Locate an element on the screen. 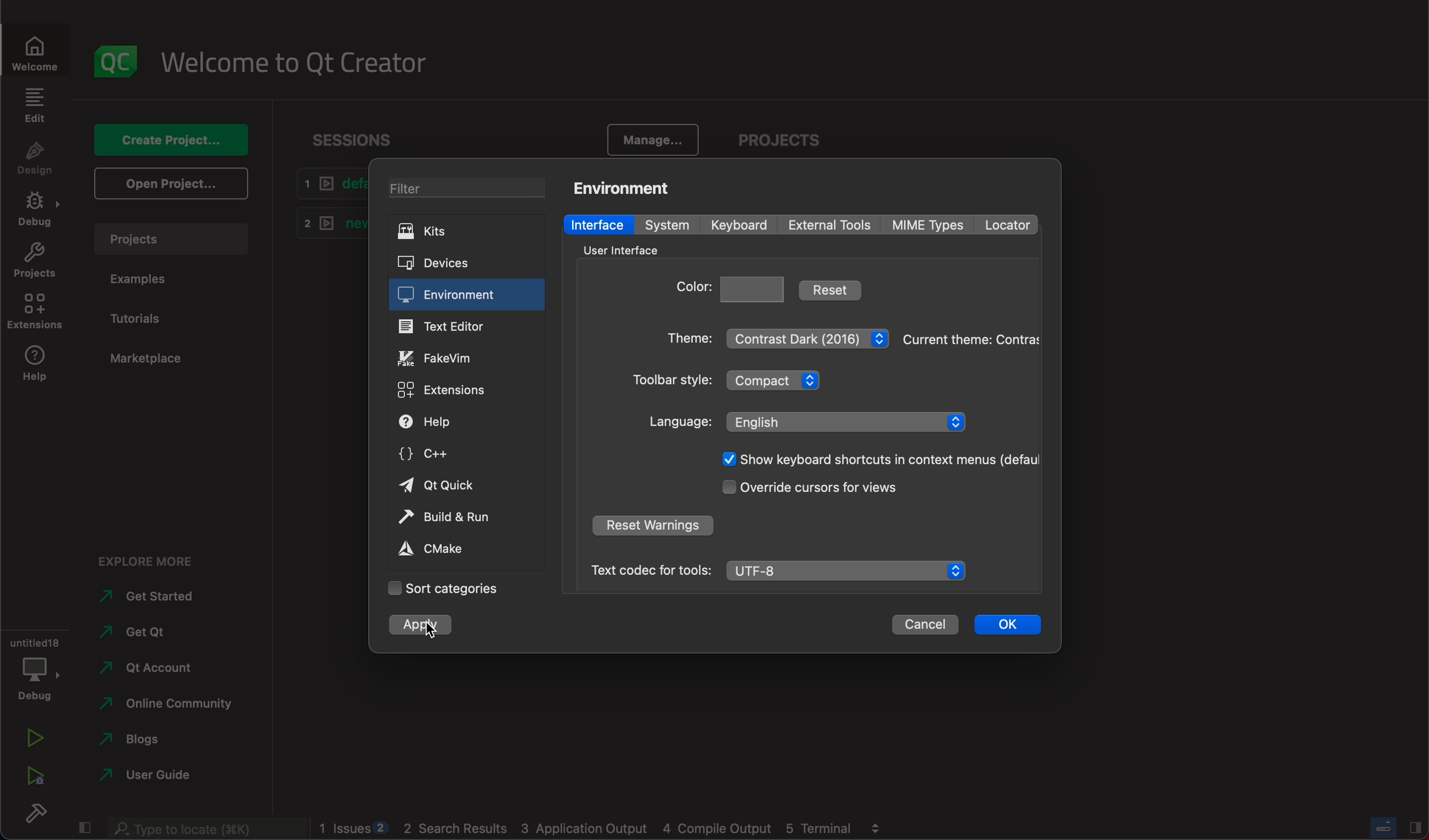  theme is located at coordinates (777, 336).